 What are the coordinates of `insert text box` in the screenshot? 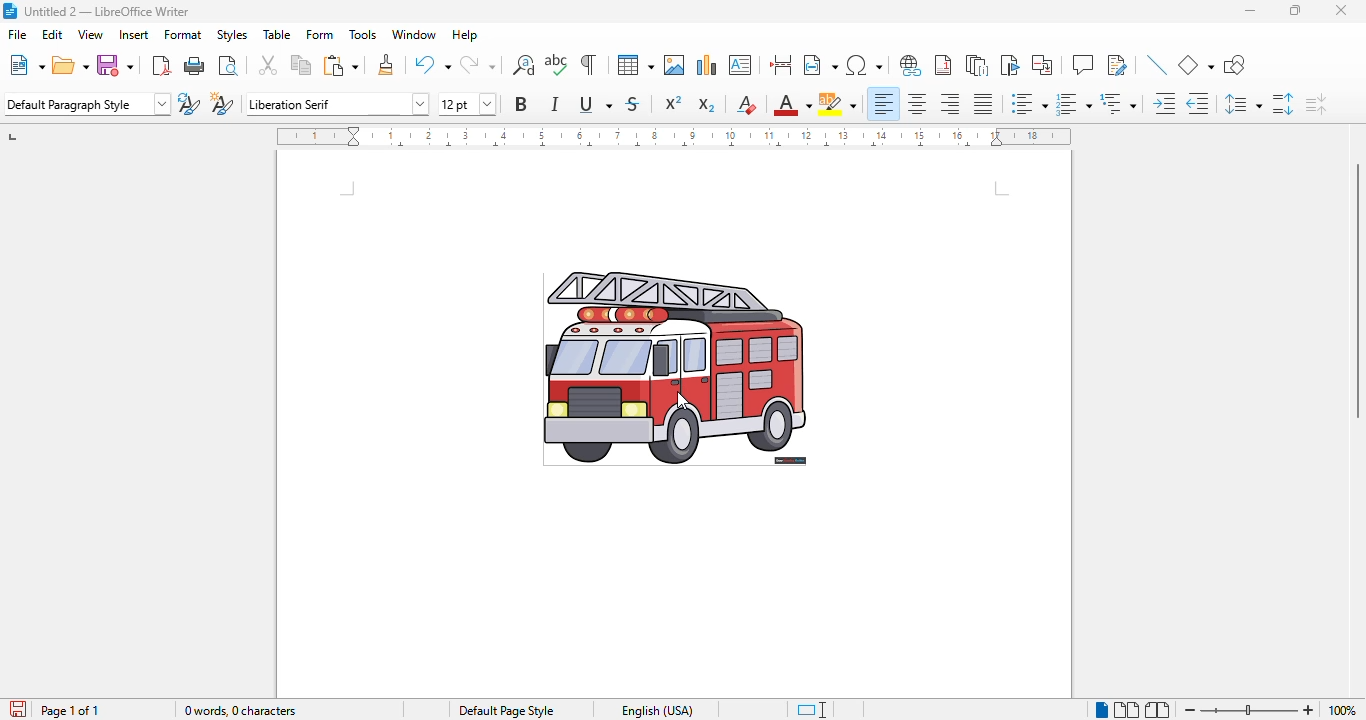 It's located at (741, 65).